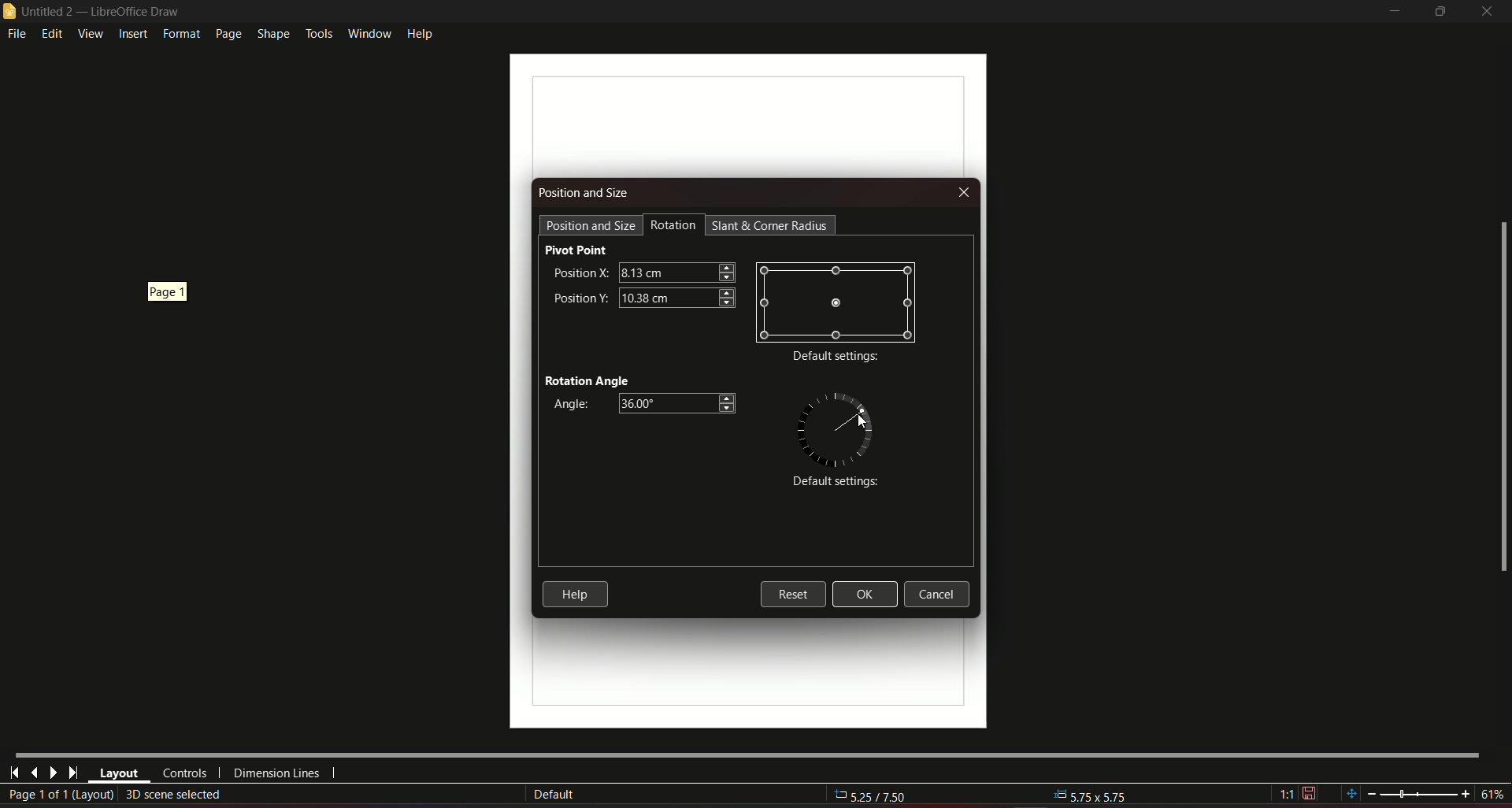 The height and width of the screenshot is (808, 1512). What do you see at coordinates (1488, 11) in the screenshot?
I see `close` at bounding box center [1488, 11].